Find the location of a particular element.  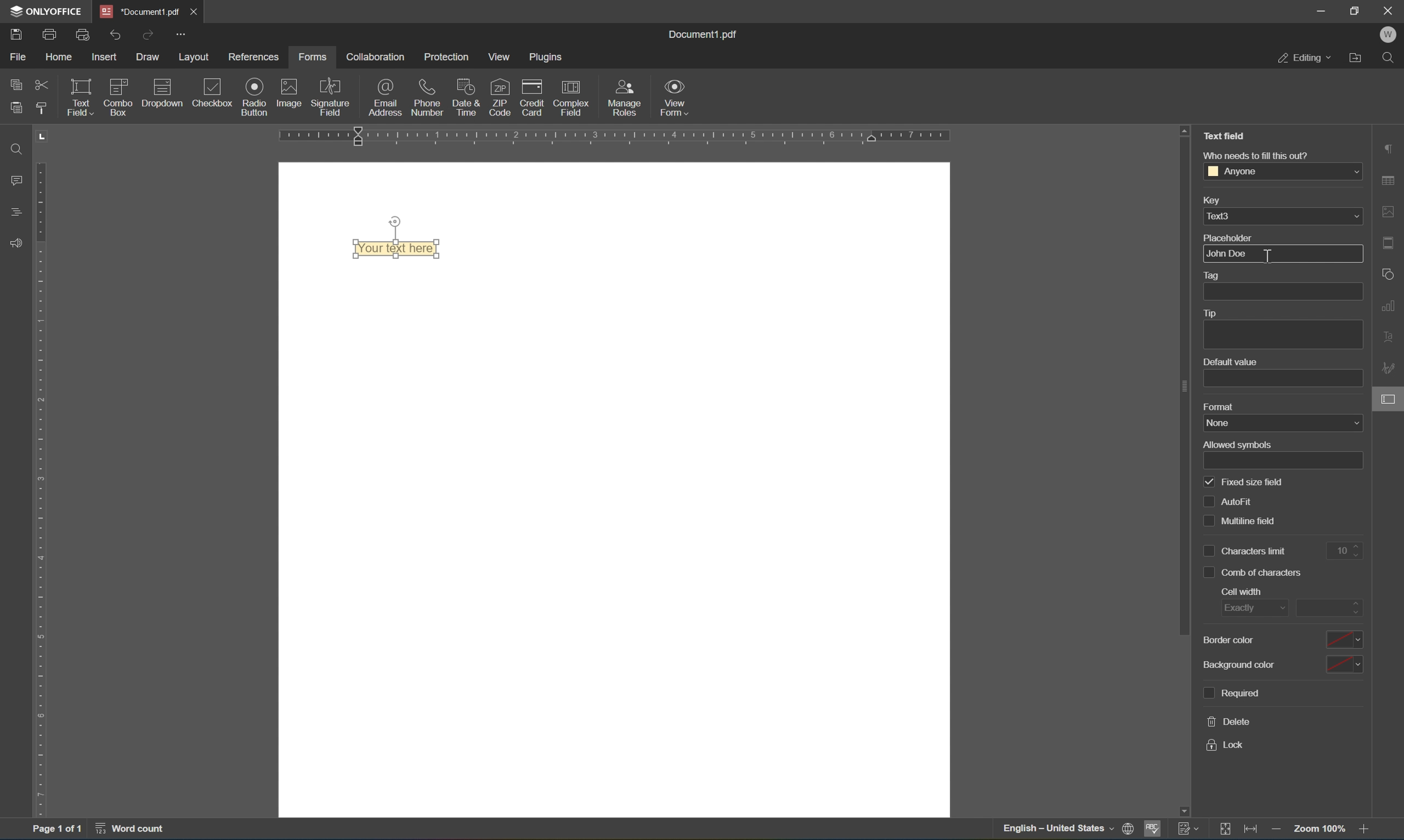

spell checking is located at coordinates (1154, 830).